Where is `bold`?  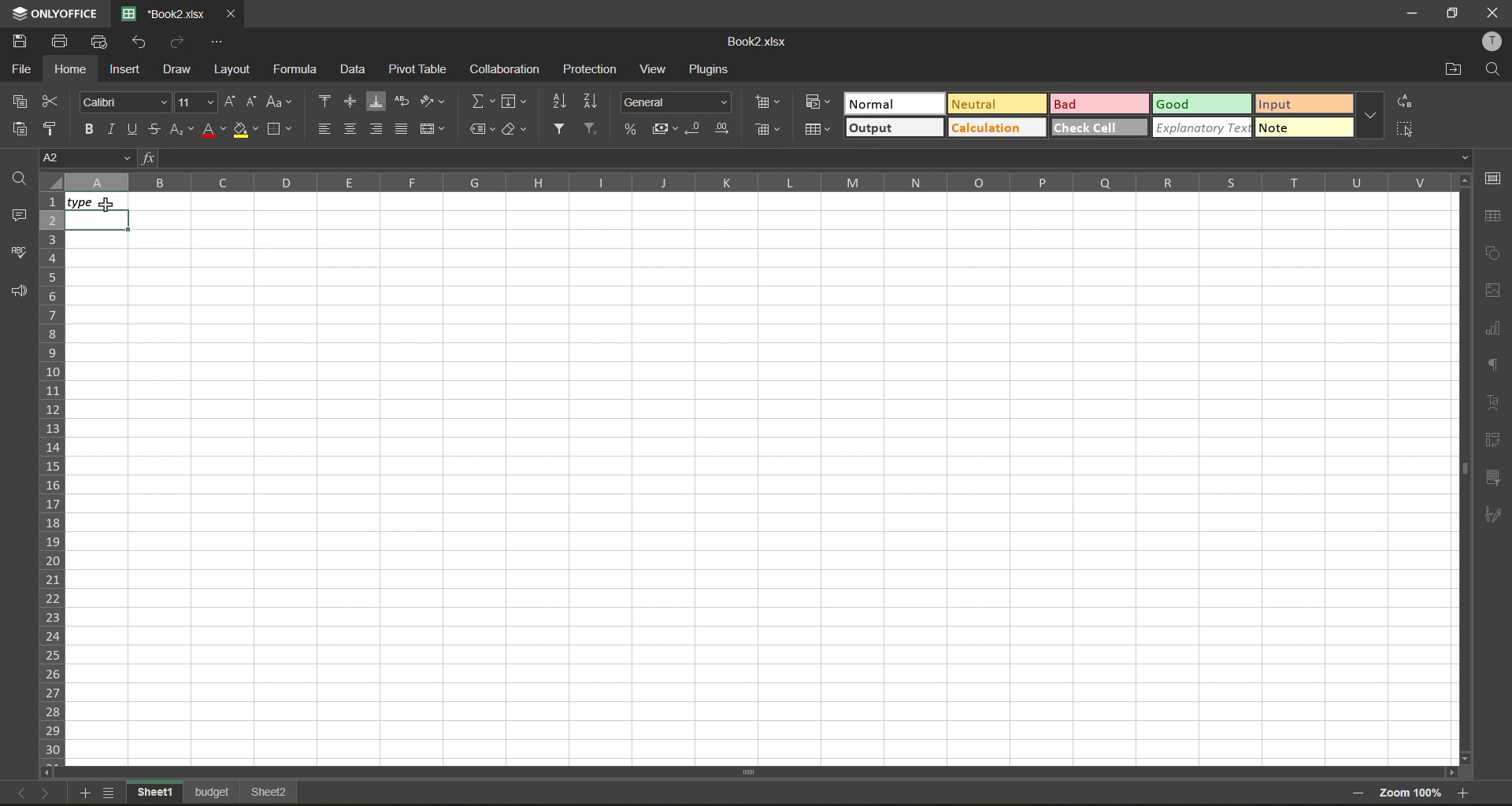 bold is located at coordinates (89, 130).